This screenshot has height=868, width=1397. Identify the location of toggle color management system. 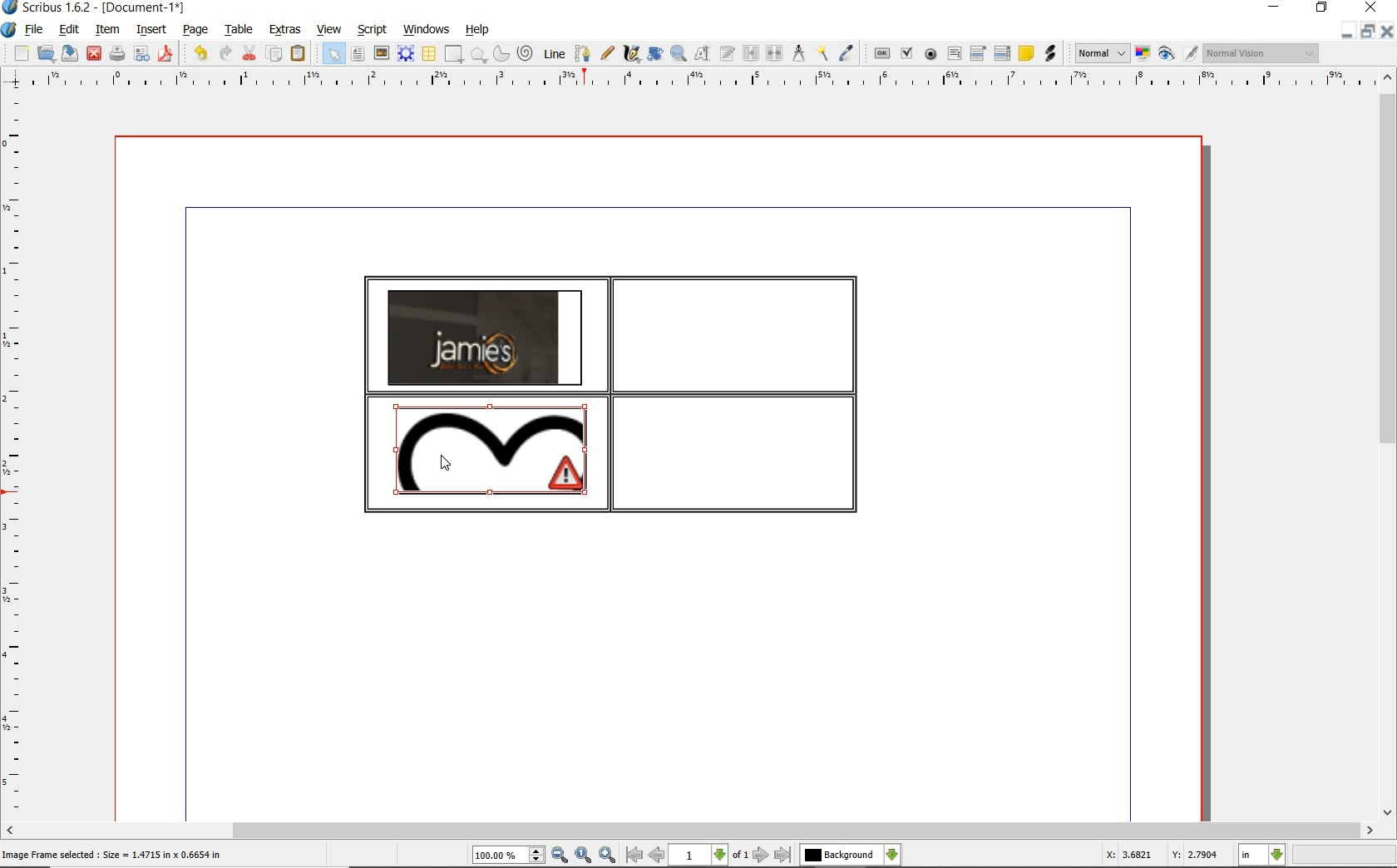
(1144, 55).